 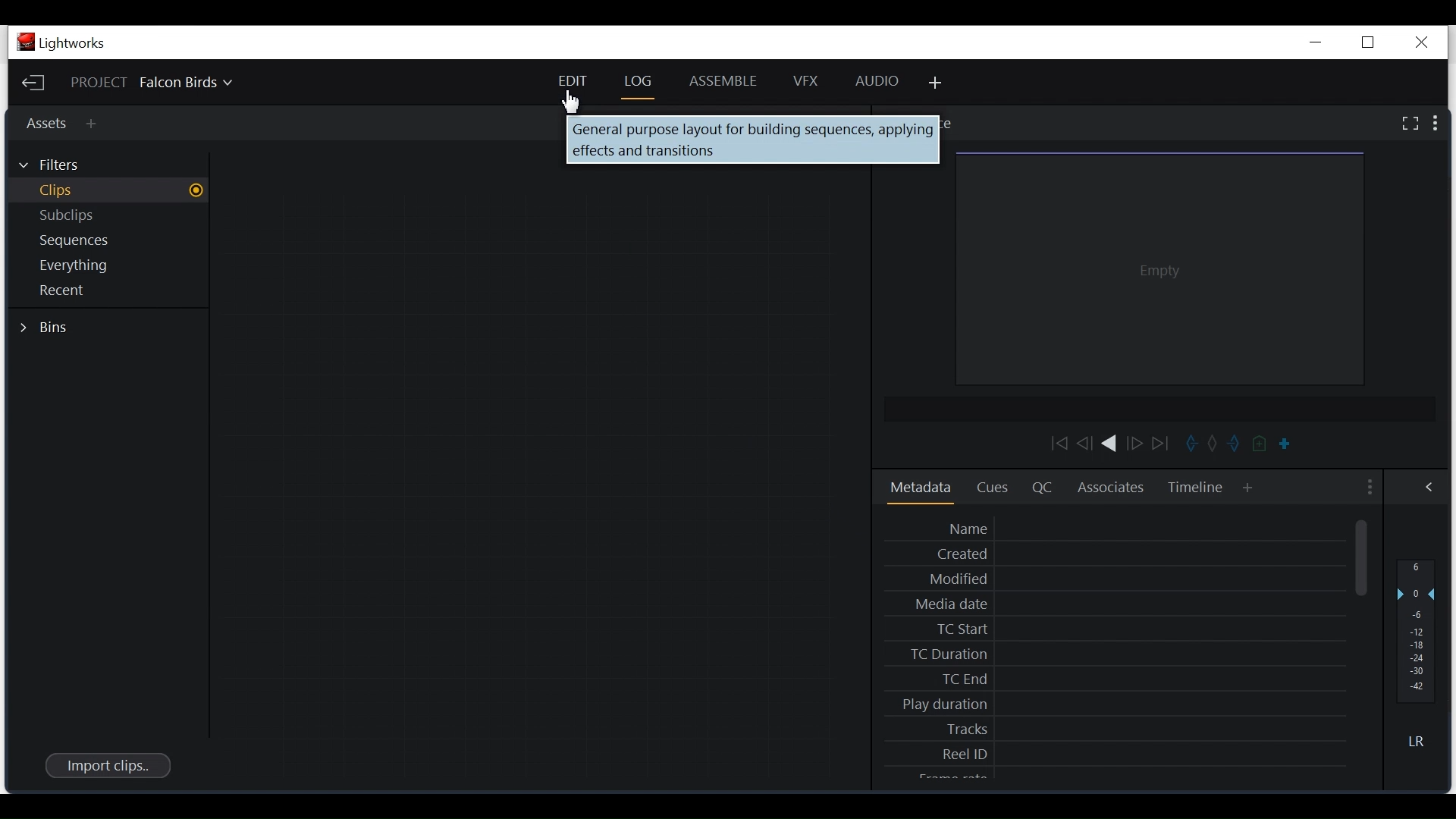 I want to click on Fullscreen, so click(x=1409, y=123).